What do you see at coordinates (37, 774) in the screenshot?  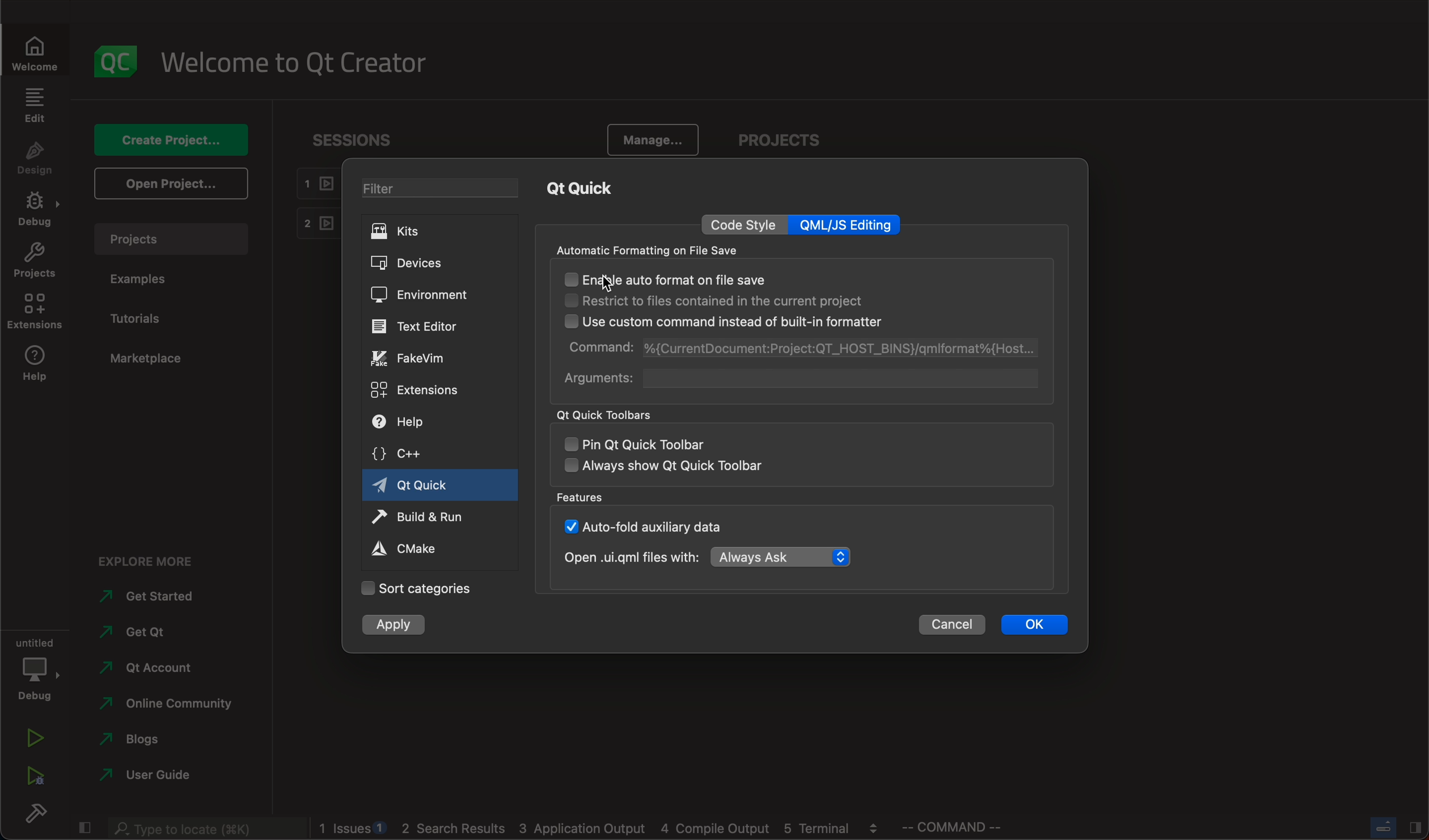 I see `run debug` at bounding box center [37, 774].